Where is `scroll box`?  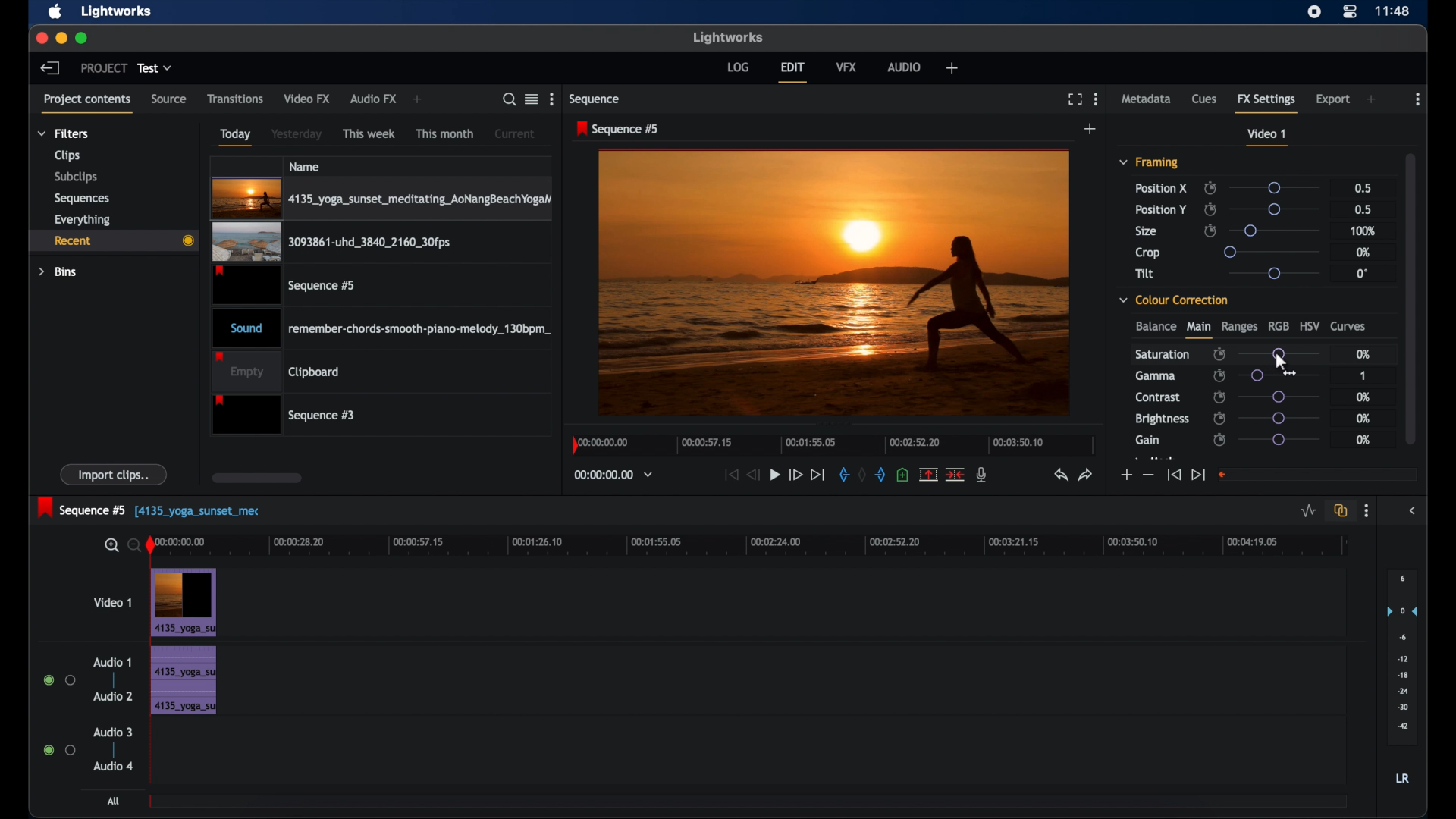
scroll box is located at coordinates (1411, 297).